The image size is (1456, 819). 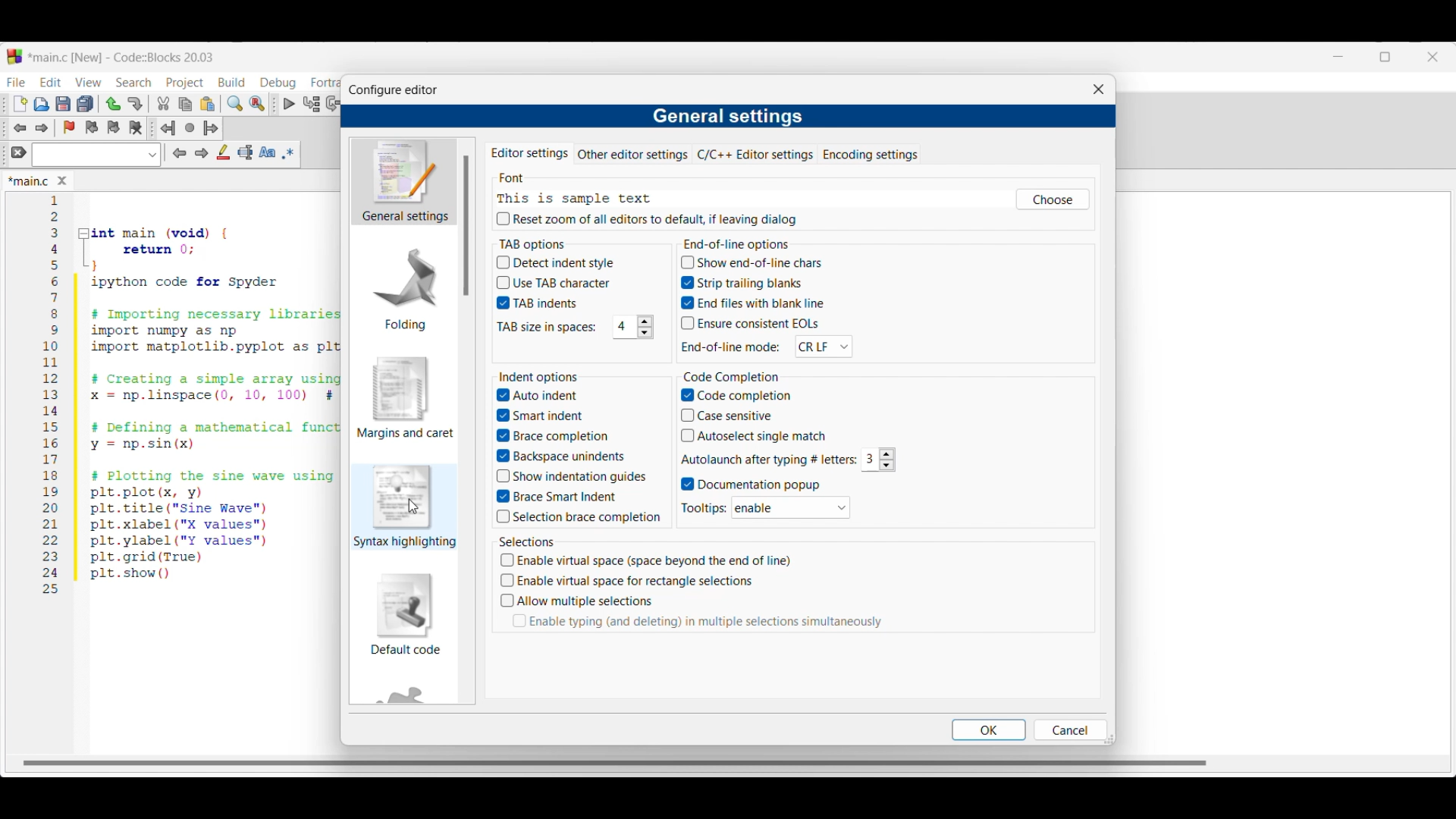 What do you see at coordinates (235, 103) in the screenshot?
I see `Find` at bounding box center [235, 103].